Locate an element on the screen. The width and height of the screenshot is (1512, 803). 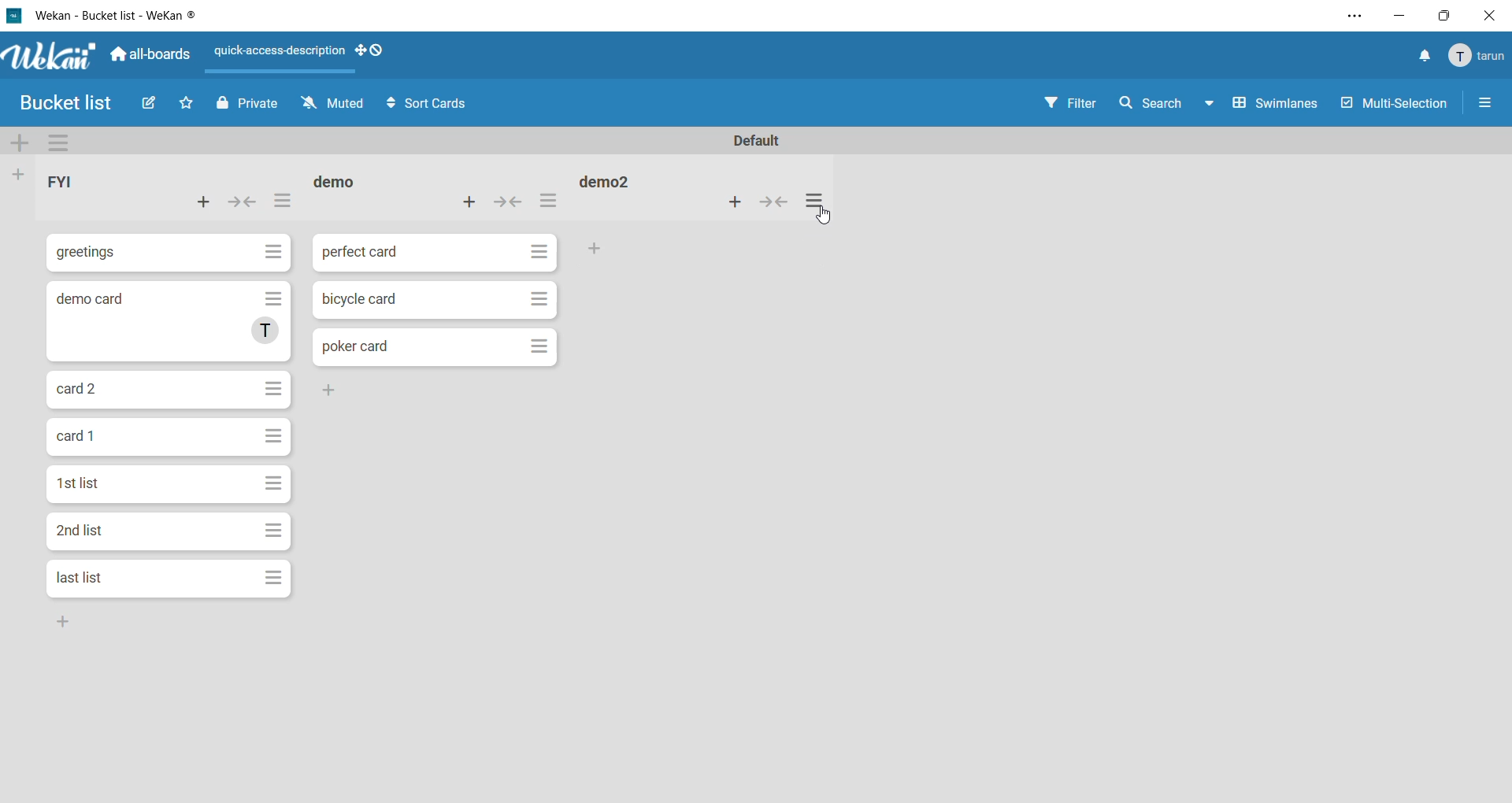
 is located at coordinates (595, 248).